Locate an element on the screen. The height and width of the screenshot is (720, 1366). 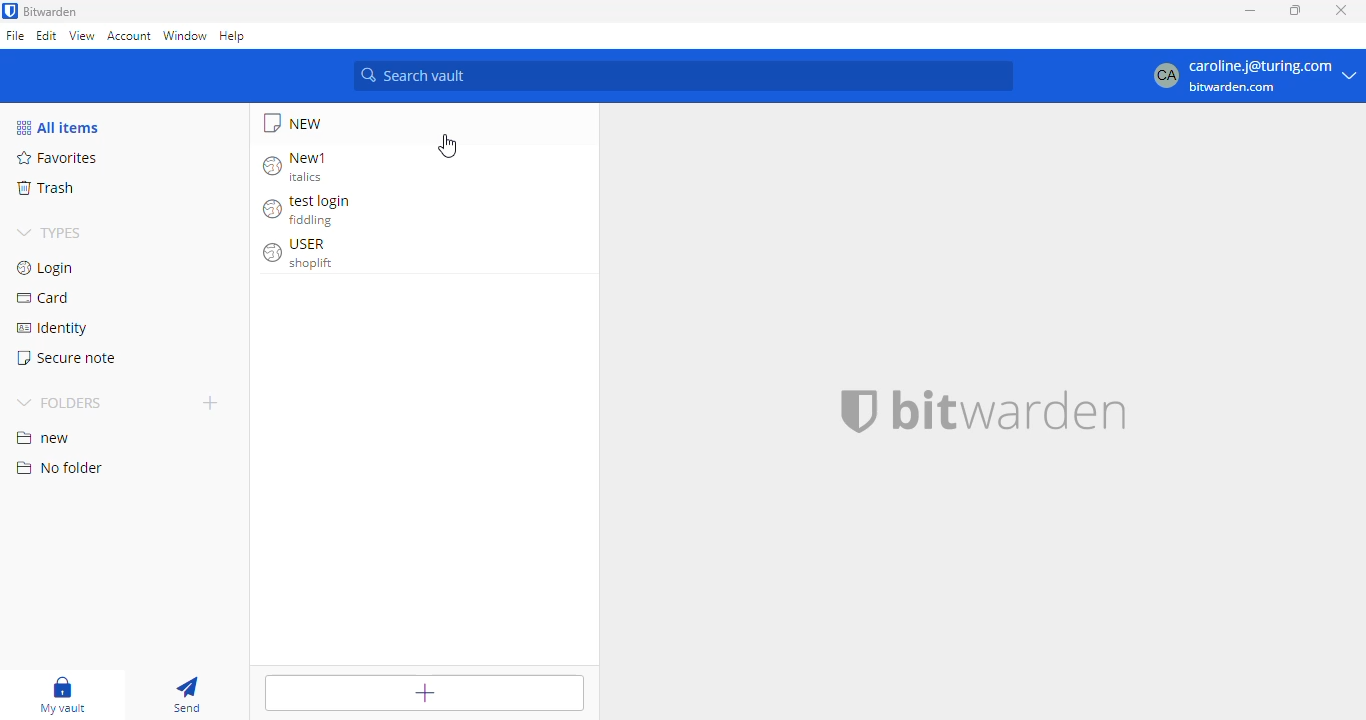
"New1" login entry is located at coordinates (304, 166).